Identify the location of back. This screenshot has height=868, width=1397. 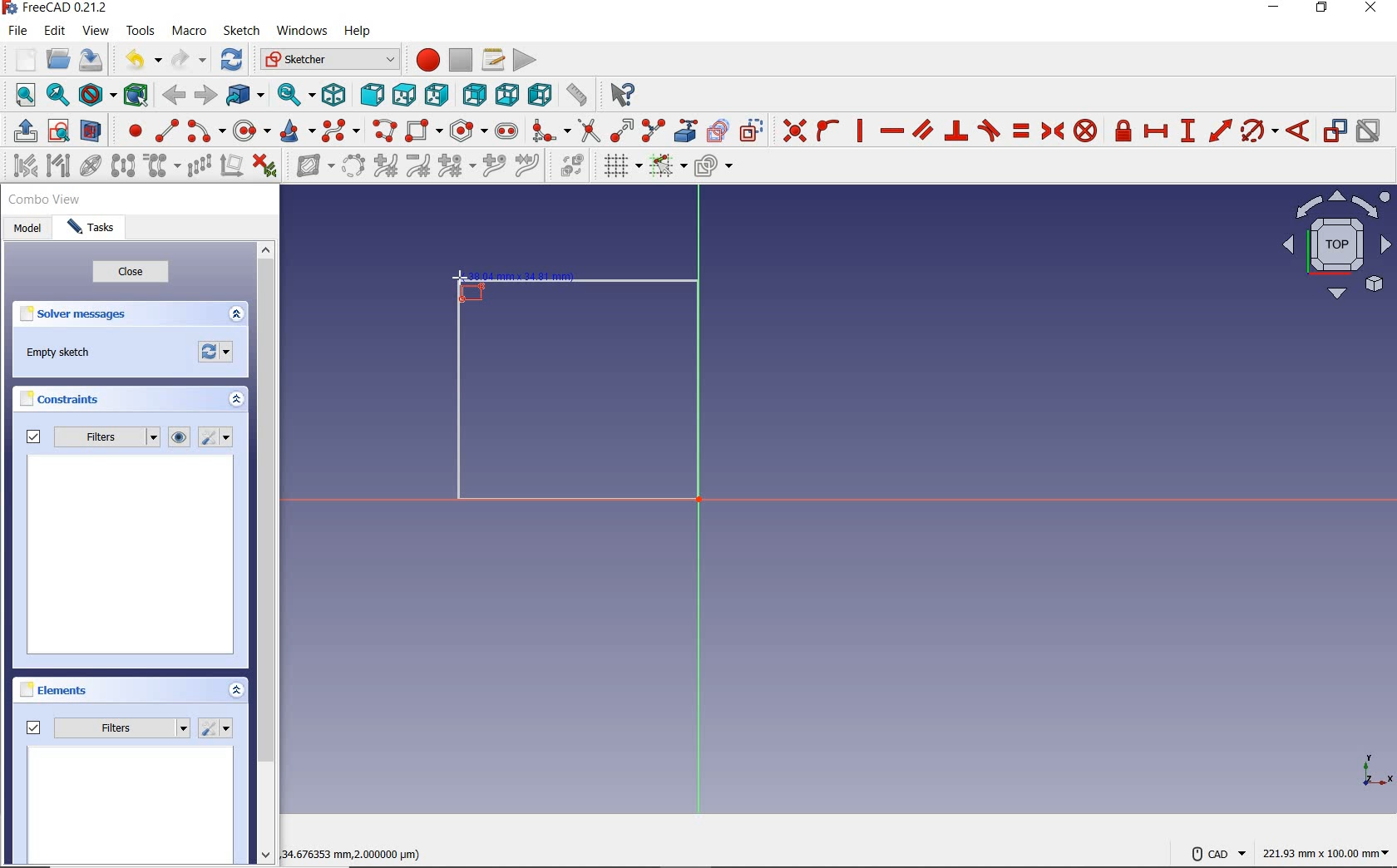
(176, 95).